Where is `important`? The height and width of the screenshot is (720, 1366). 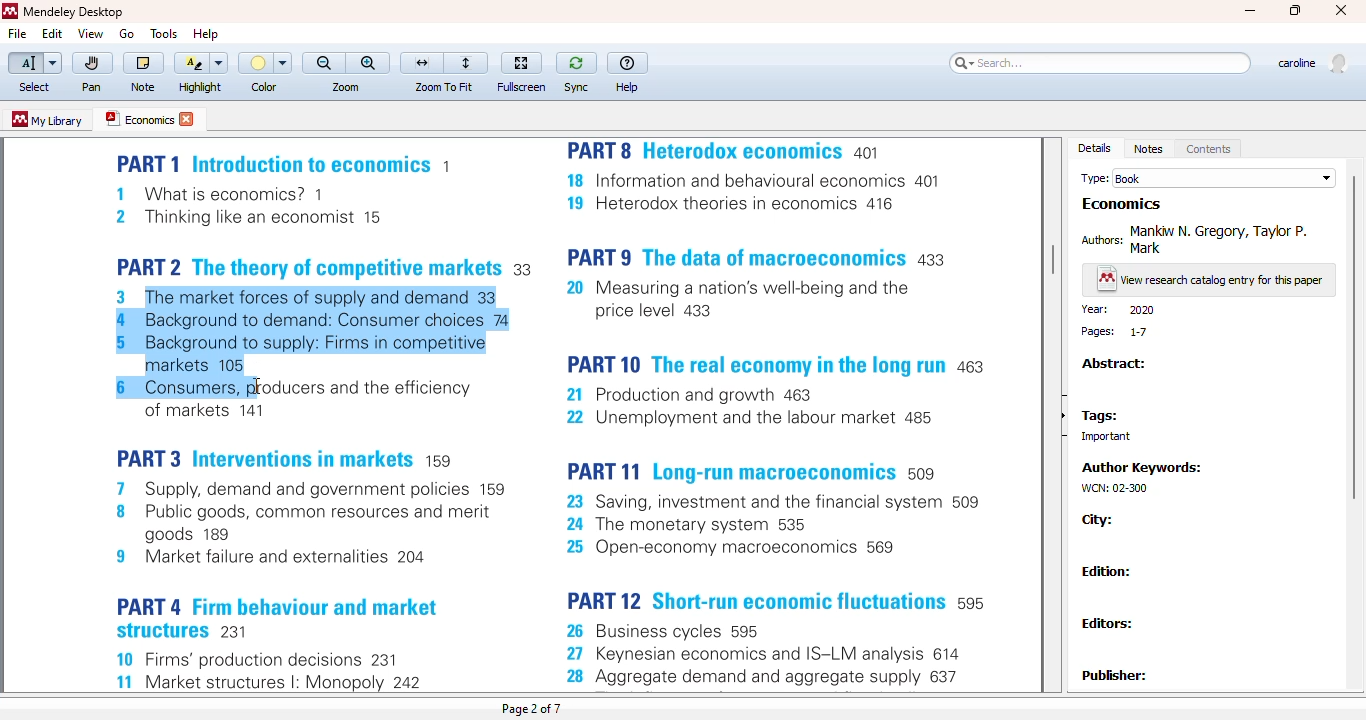 important is located at coordinates (1099, 437).